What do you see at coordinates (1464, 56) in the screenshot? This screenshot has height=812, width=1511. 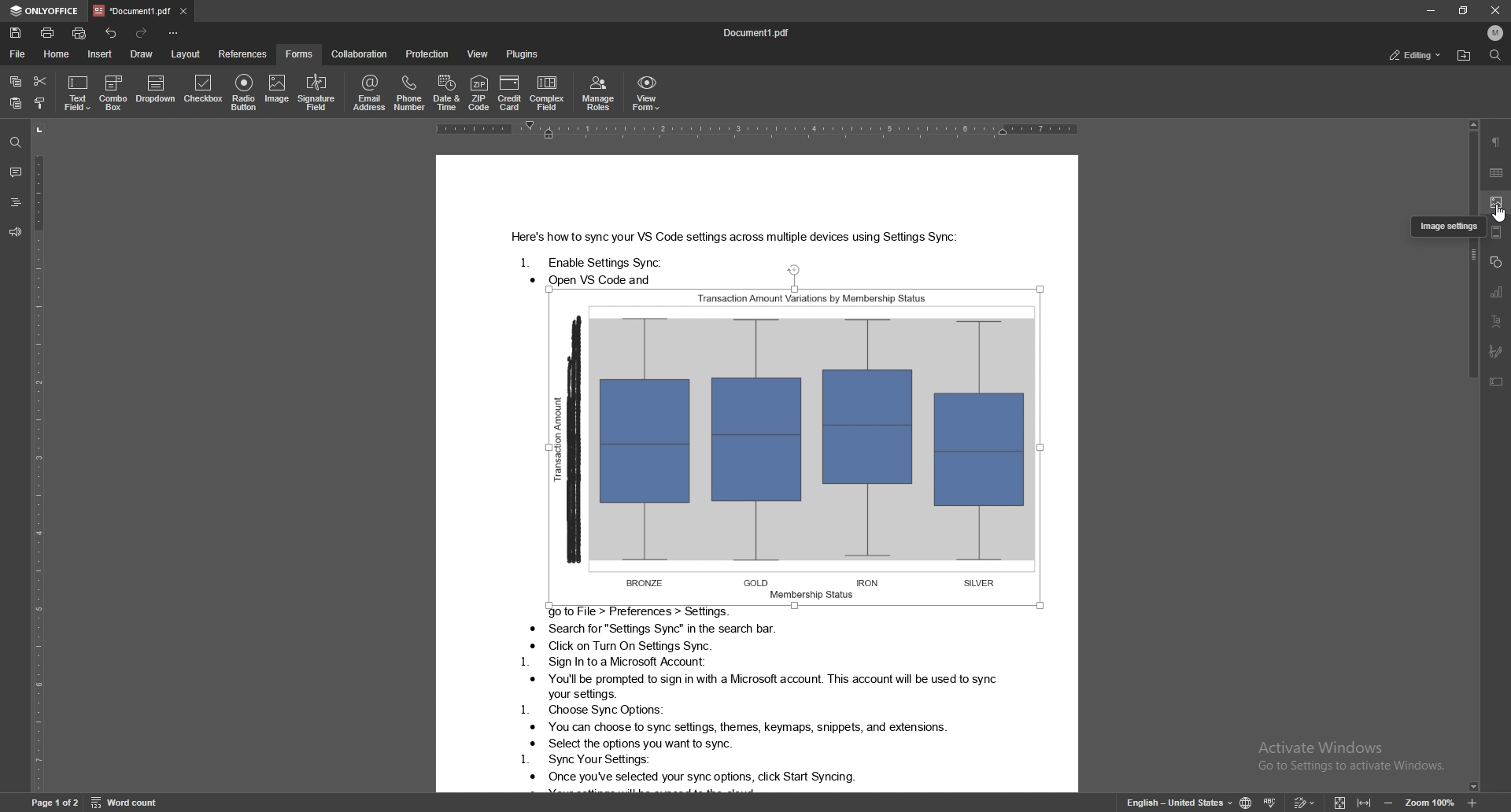 I see `locate file` at bounding box center [1464, 56].